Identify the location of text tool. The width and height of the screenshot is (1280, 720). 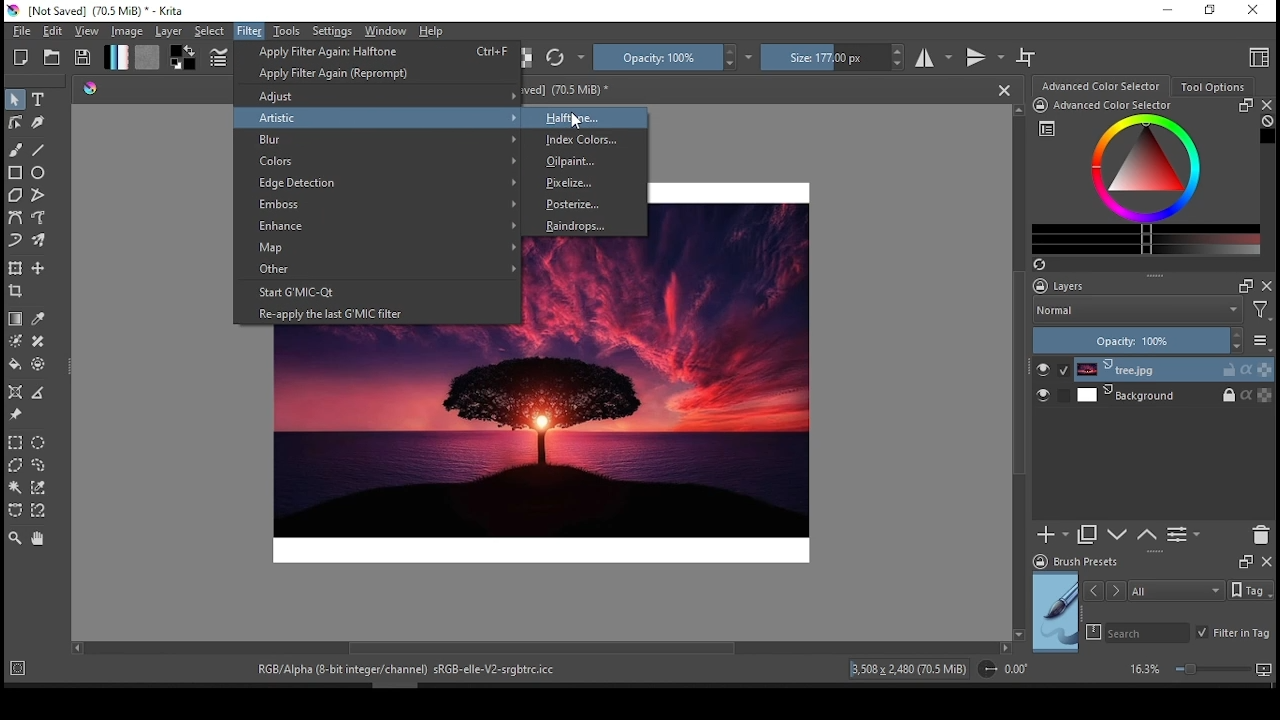
(40, 99).